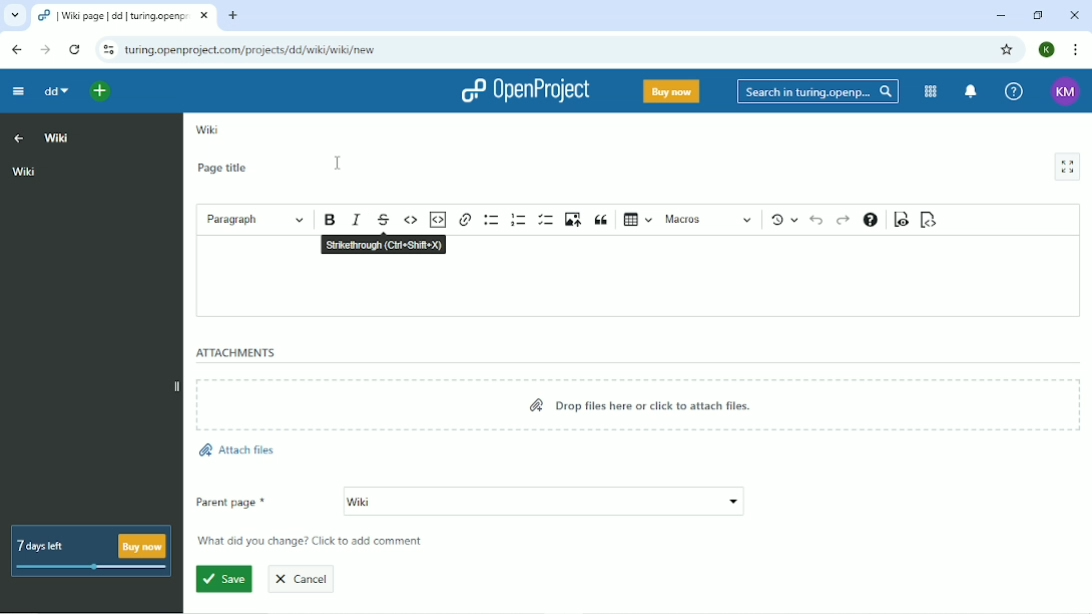 This screenshot has height=614, width=1092. What do you see at coordinates (208, 129) in the screenshot?
I see `Wiki` at bounding box center [208, 129].